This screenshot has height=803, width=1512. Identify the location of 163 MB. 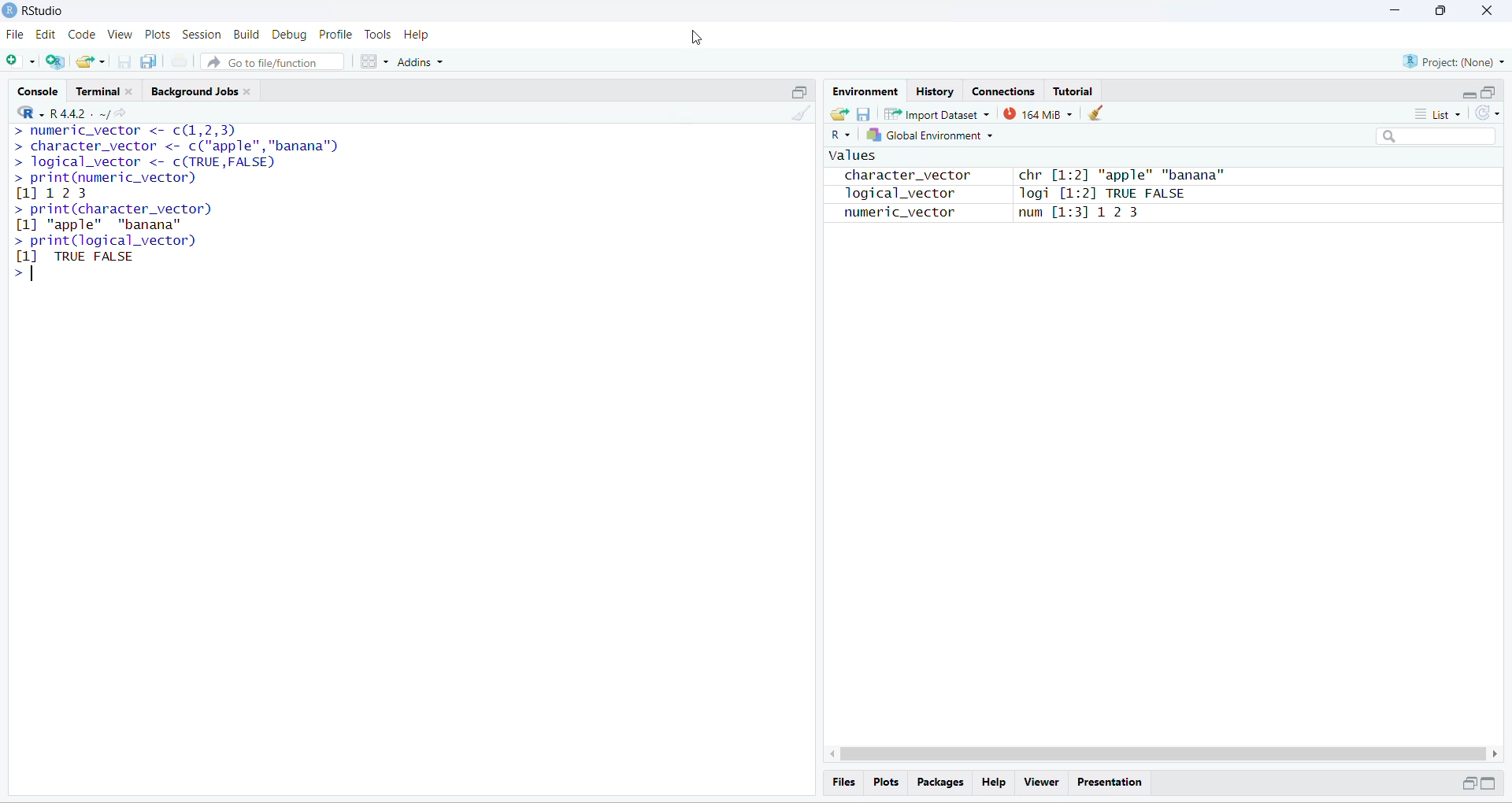
(1038, 114).